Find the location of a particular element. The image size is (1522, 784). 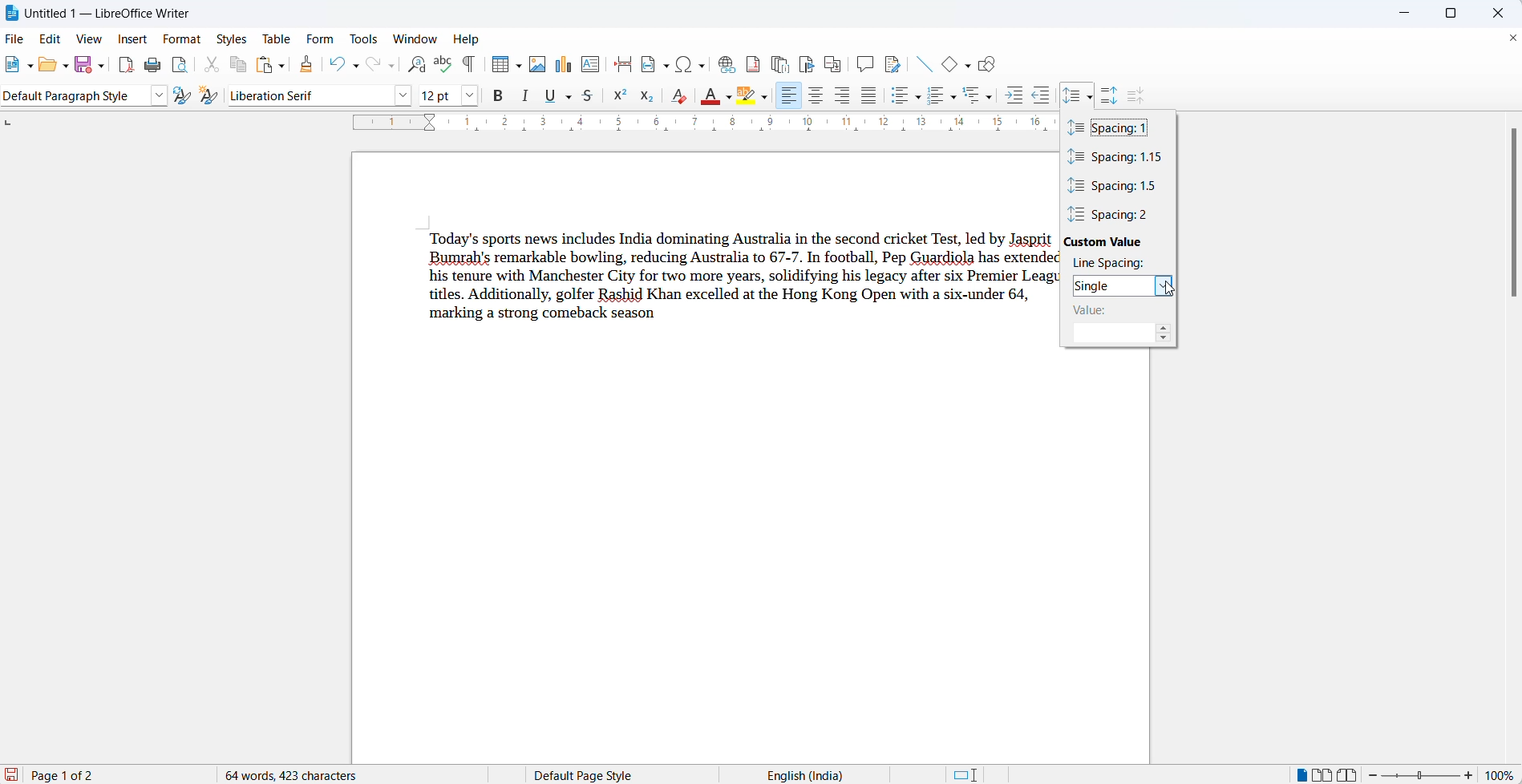

spacing value 1.15 is located at coordinates (1117, 158).